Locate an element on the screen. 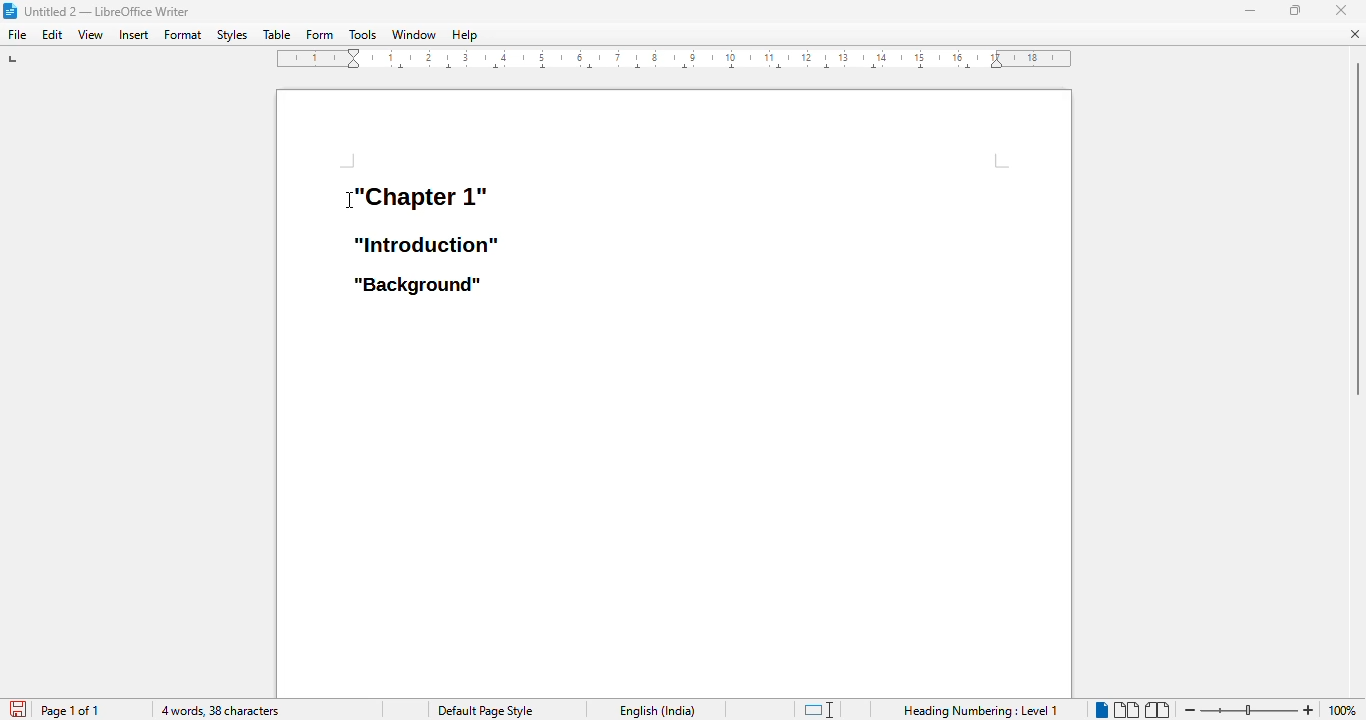  book view is located at coordinates (1157, 710).